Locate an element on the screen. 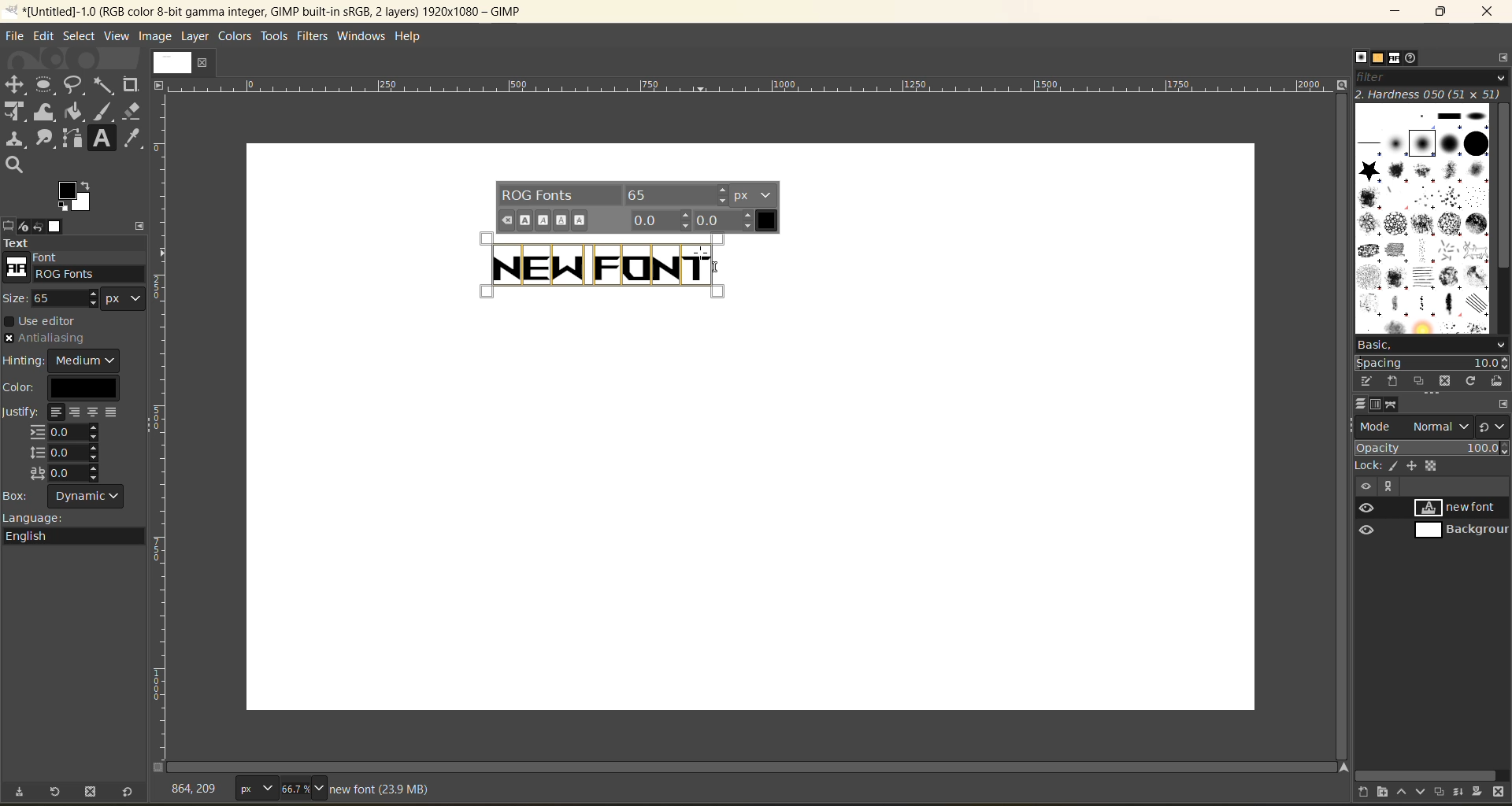 This screenshot has height=806, width=1512. brushes is located at coordinates (1423, 221).